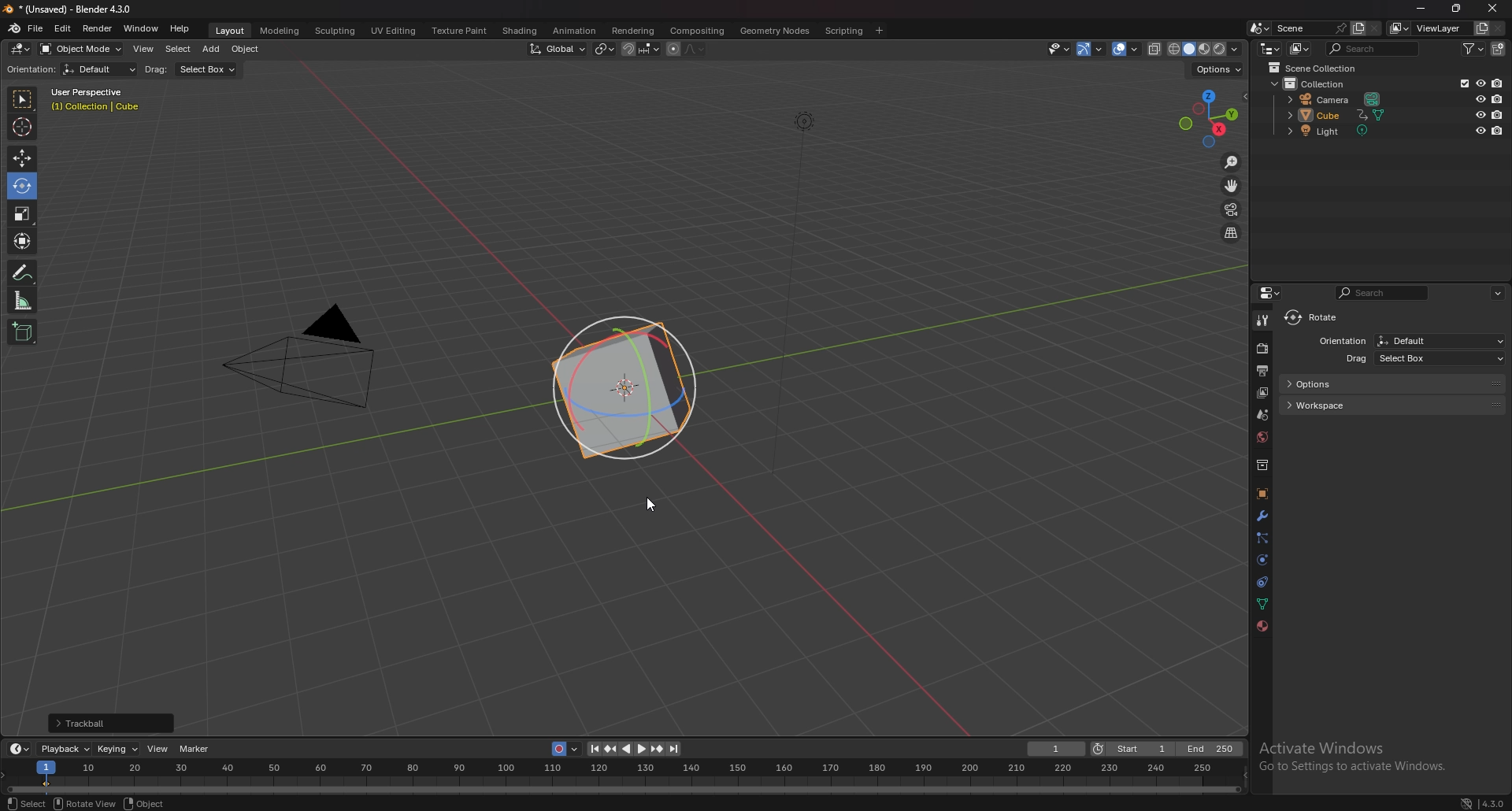  Describe the element at coordinates (1263, 413) in the screenshot. I see `scene` at that location.